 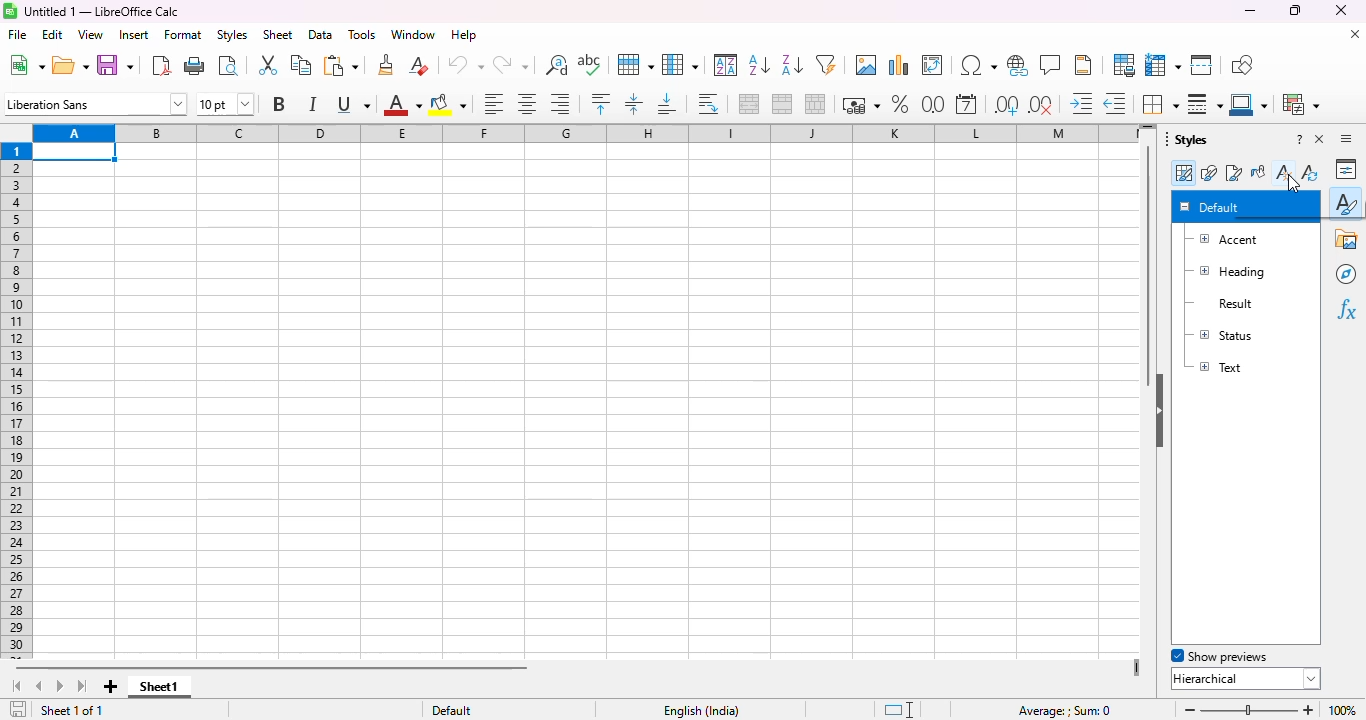 What do you see at coordinates (1210, 206) in the screenshot?
I see `default` at bounding box center [1210, 206].